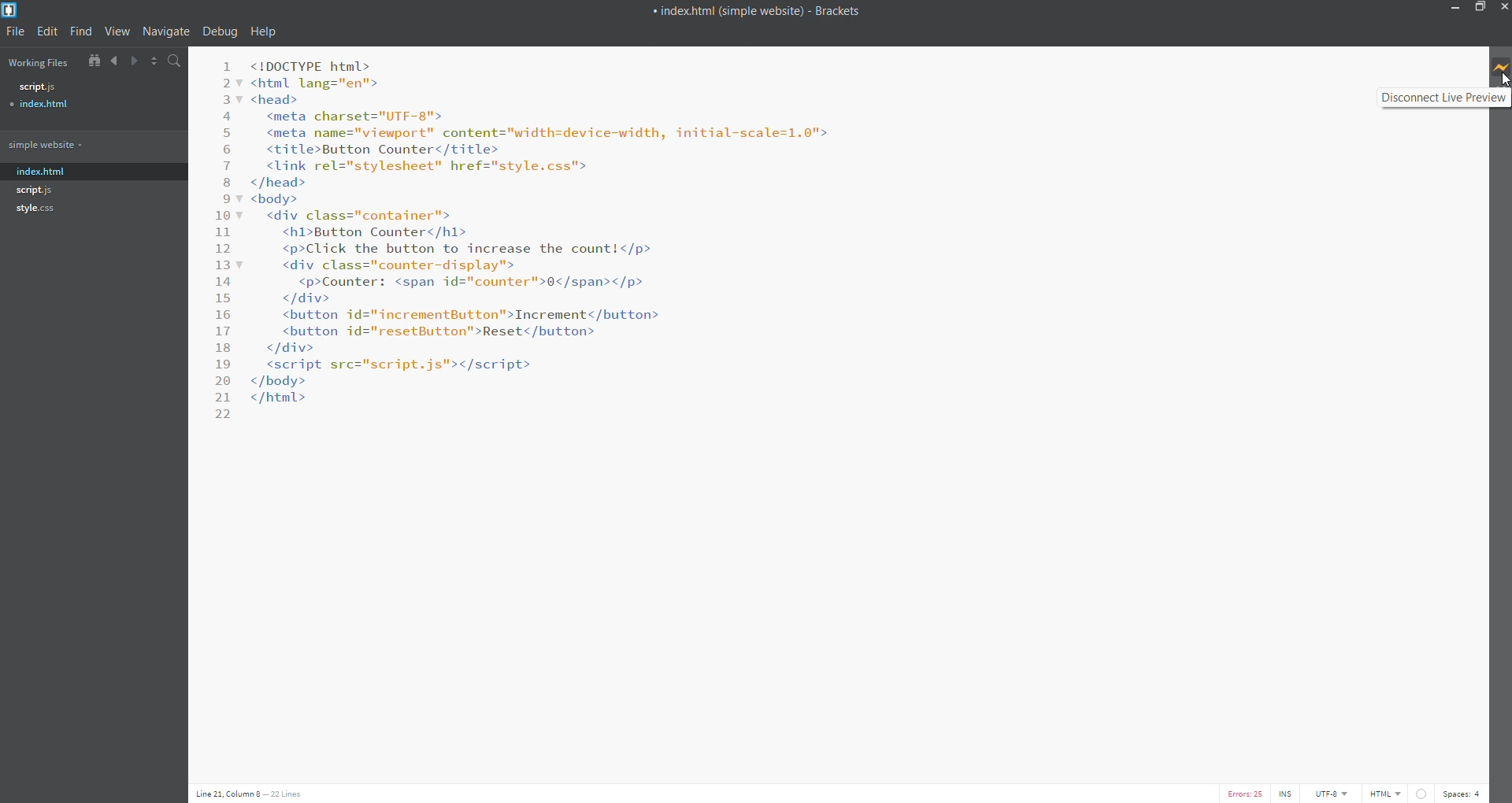  What do you see at coordinates (90, 143) in the screenshot?
I see `simple website` at bounding box center [90, 143].